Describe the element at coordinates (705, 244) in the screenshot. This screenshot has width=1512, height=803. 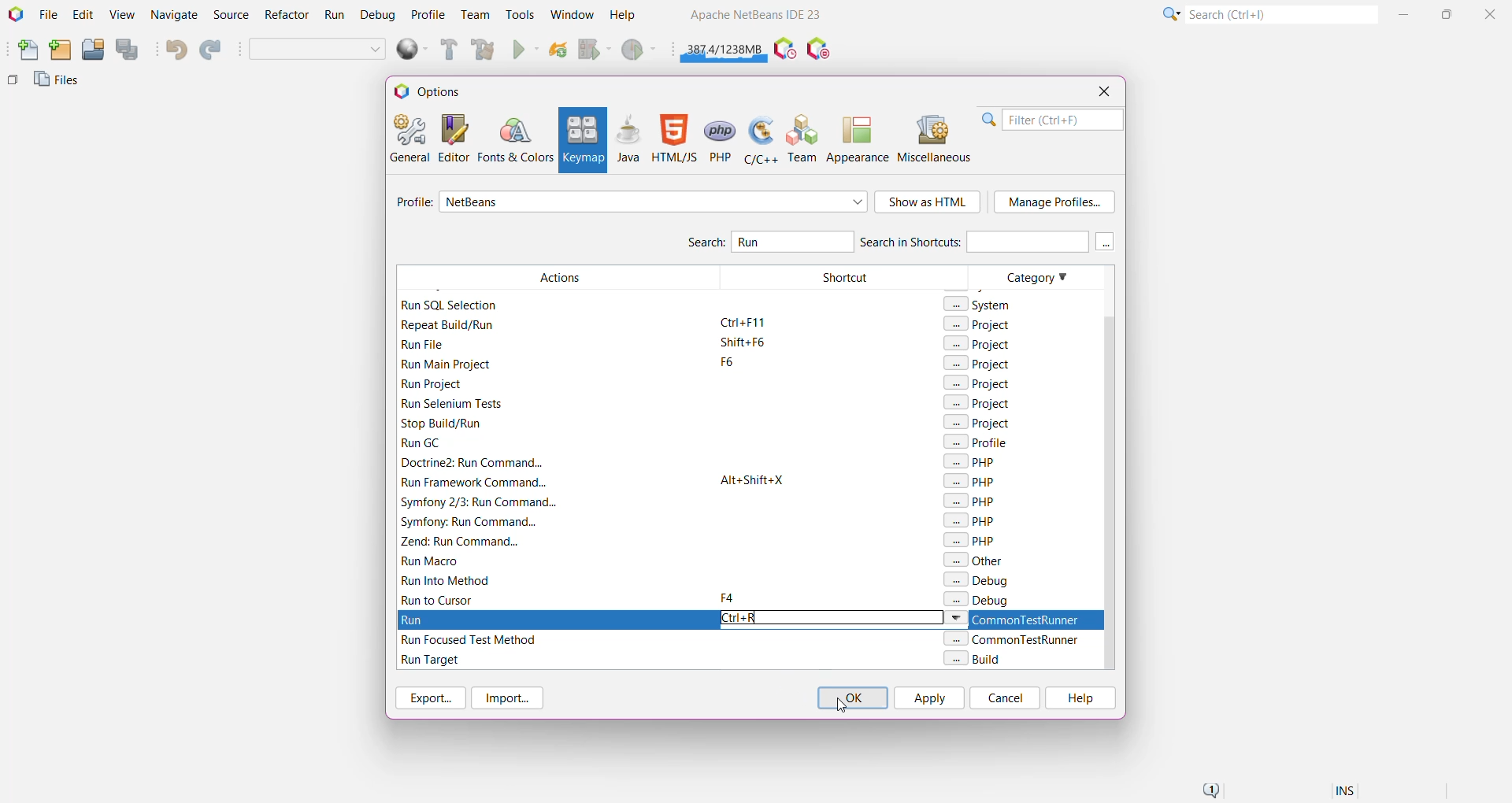
I see `Search` at that location.